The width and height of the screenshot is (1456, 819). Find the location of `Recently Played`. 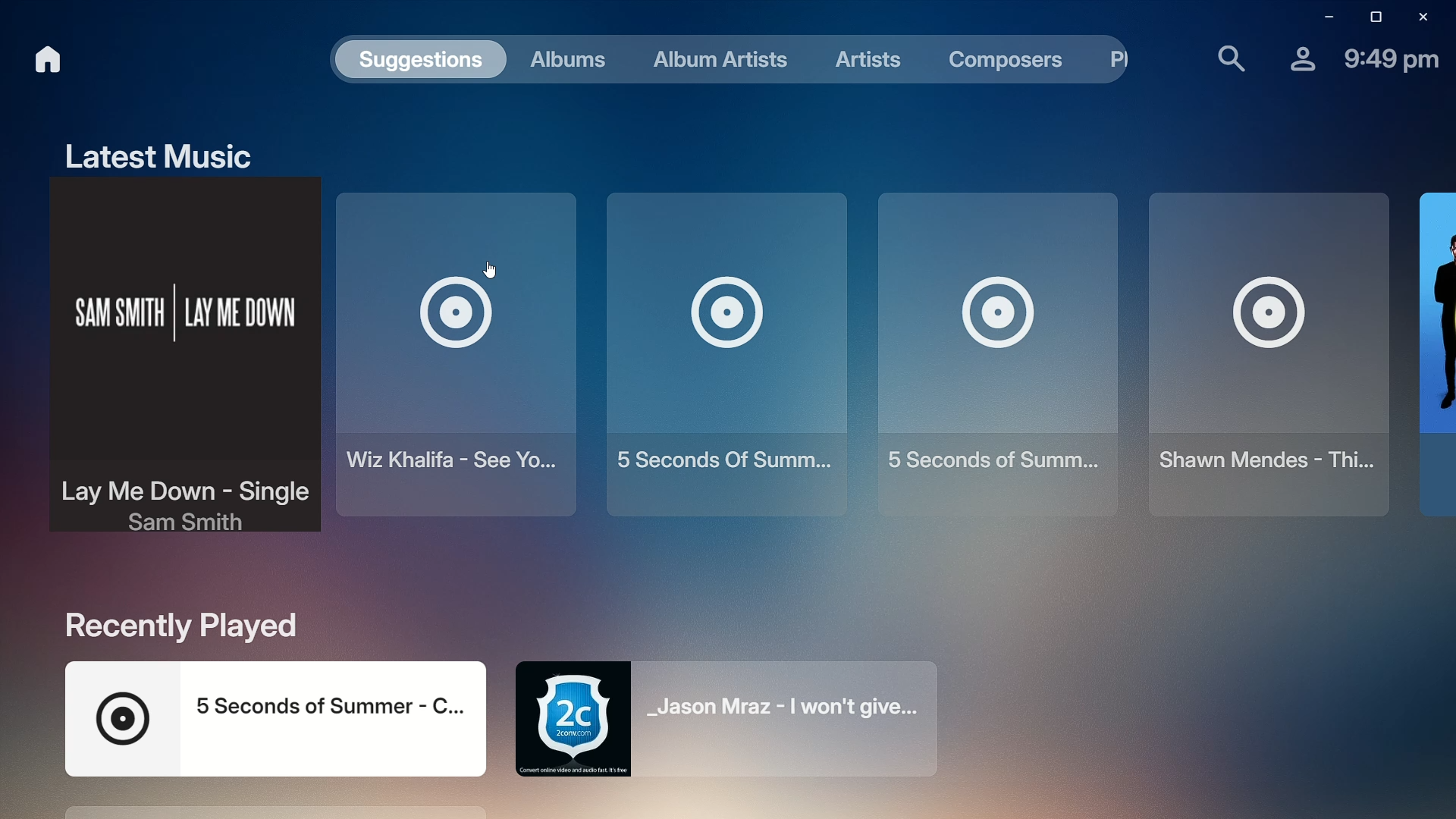

Recently Played is located at coordinates (180, 625).